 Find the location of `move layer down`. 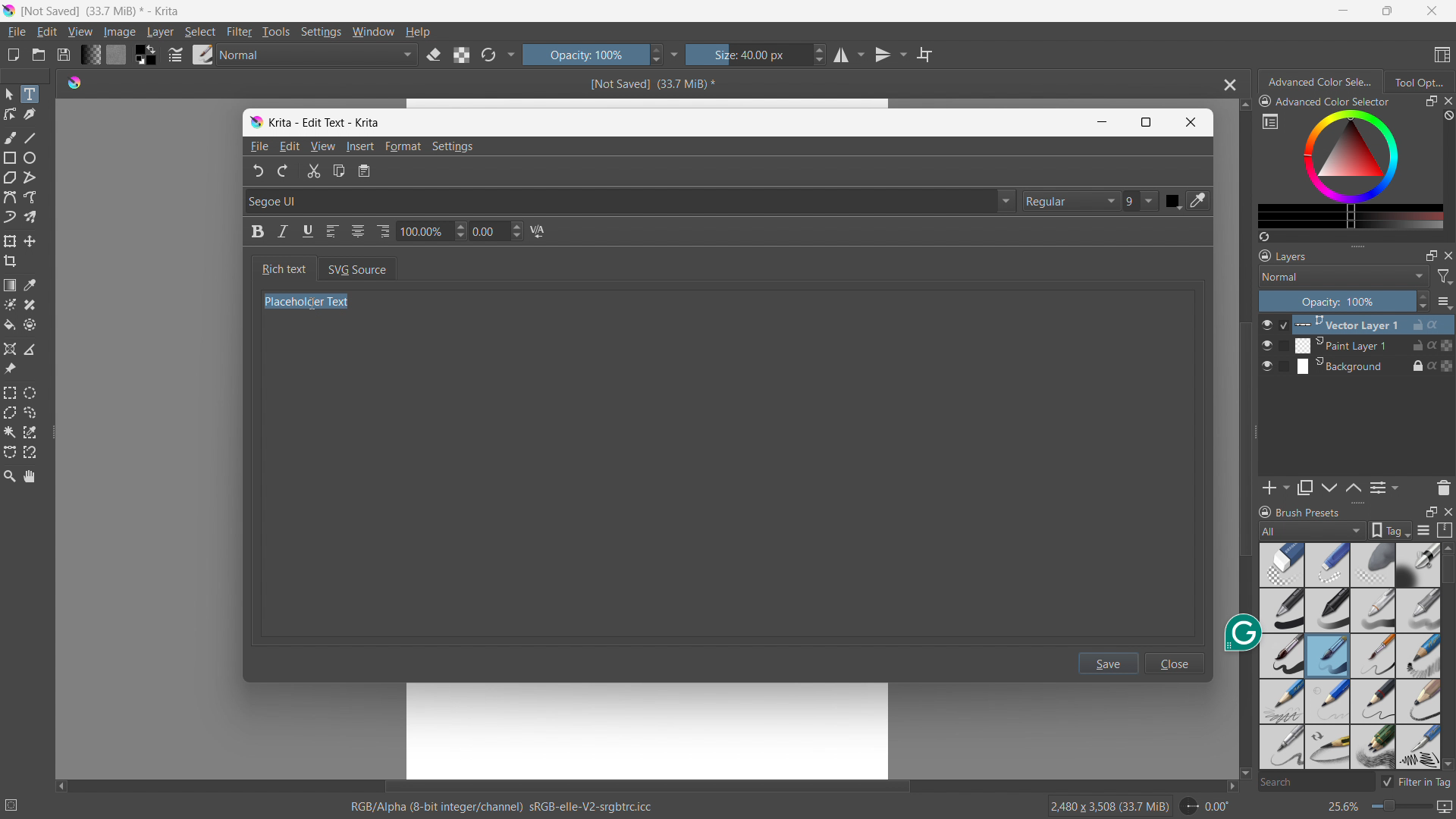

move layer down is located at coordinates (1353, 487).